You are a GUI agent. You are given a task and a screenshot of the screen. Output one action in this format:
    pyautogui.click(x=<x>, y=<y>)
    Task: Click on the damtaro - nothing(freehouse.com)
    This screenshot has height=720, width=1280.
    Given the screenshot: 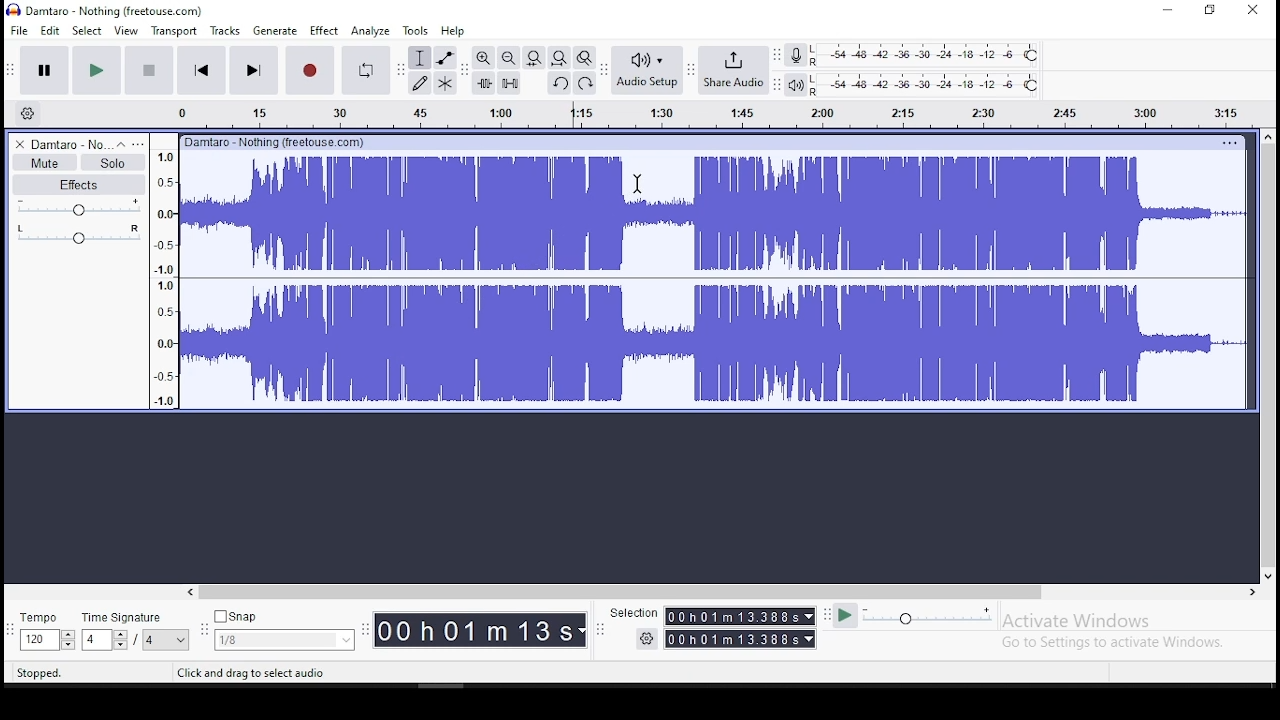 What is the action you would take?
    pyautogui.click(x=280, y=143)
    